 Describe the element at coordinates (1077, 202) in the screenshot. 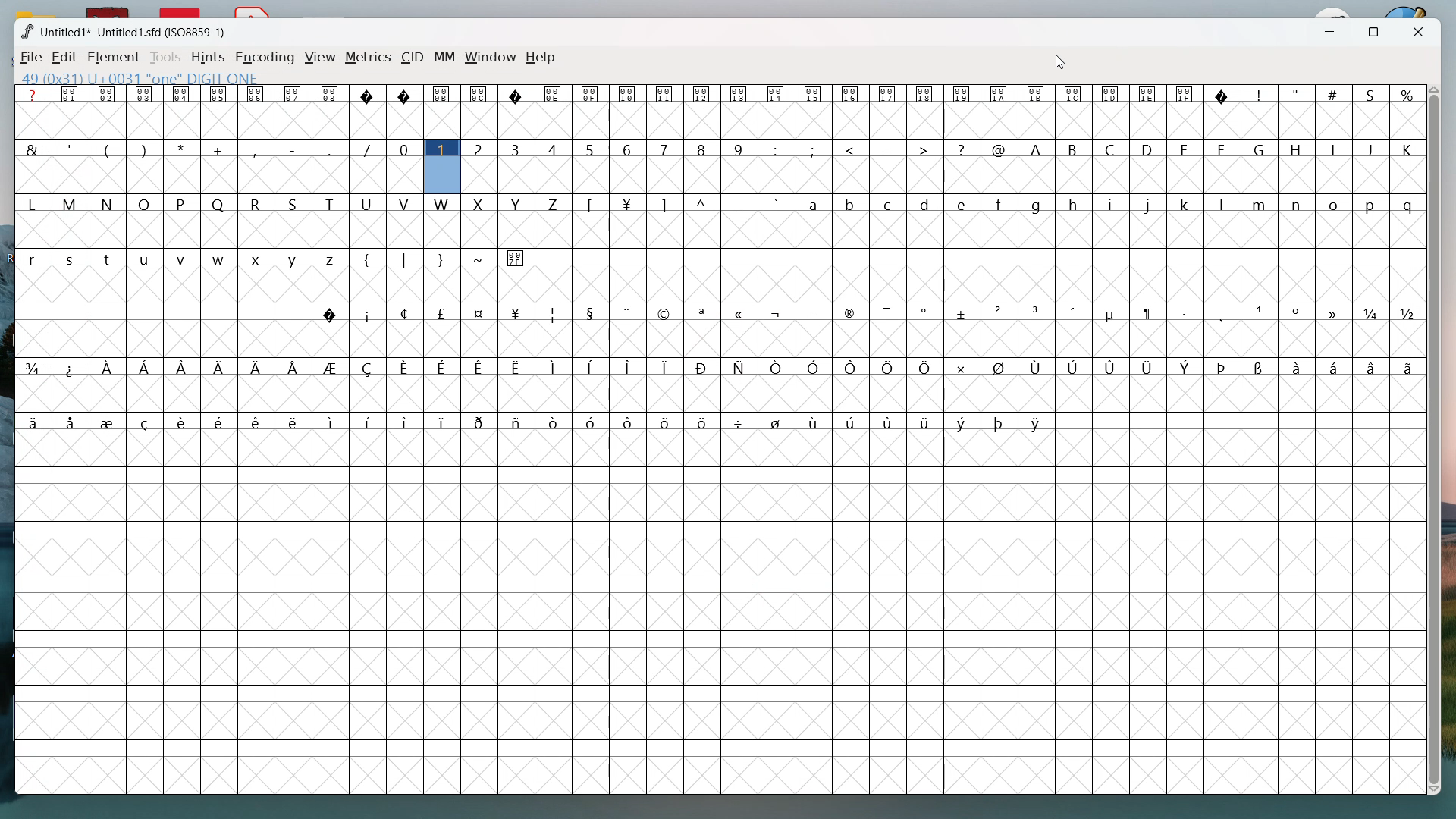

I see `h` at that location.